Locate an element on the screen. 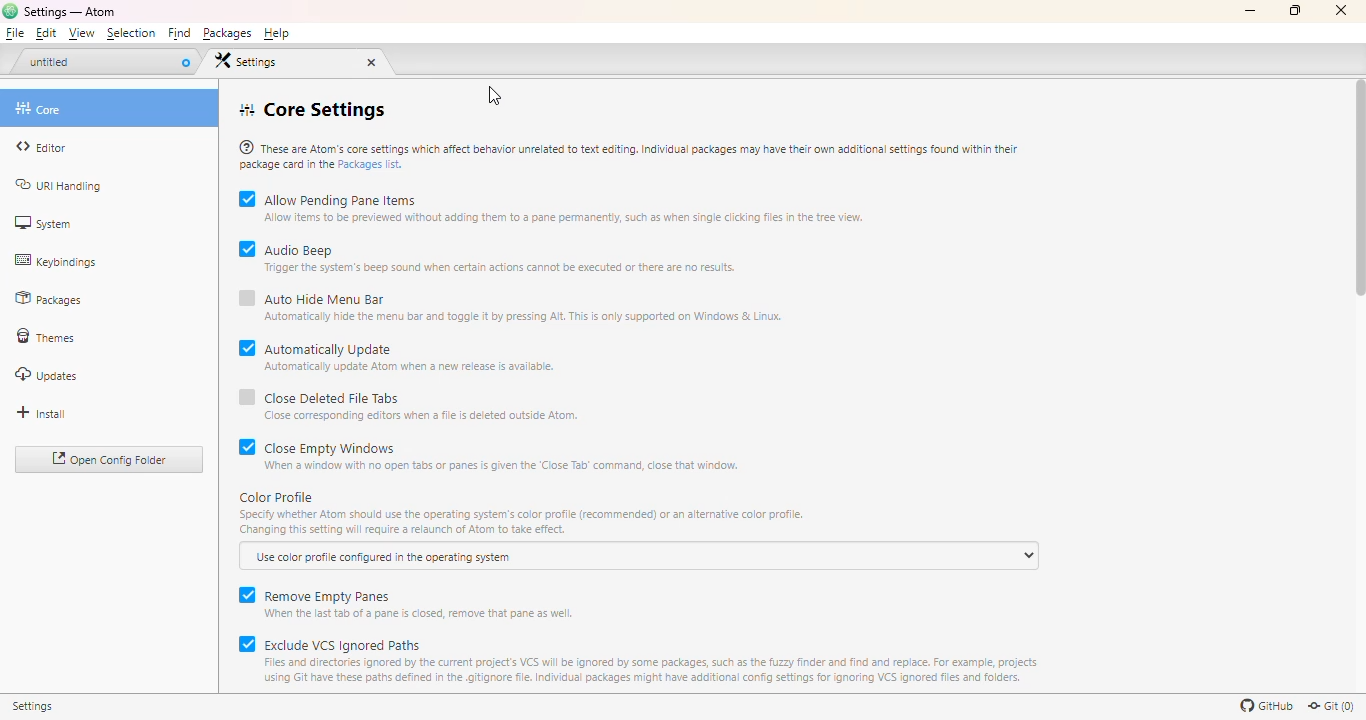 This screenshot has width=1366, height=720. View is located at coordinates (80, 34).